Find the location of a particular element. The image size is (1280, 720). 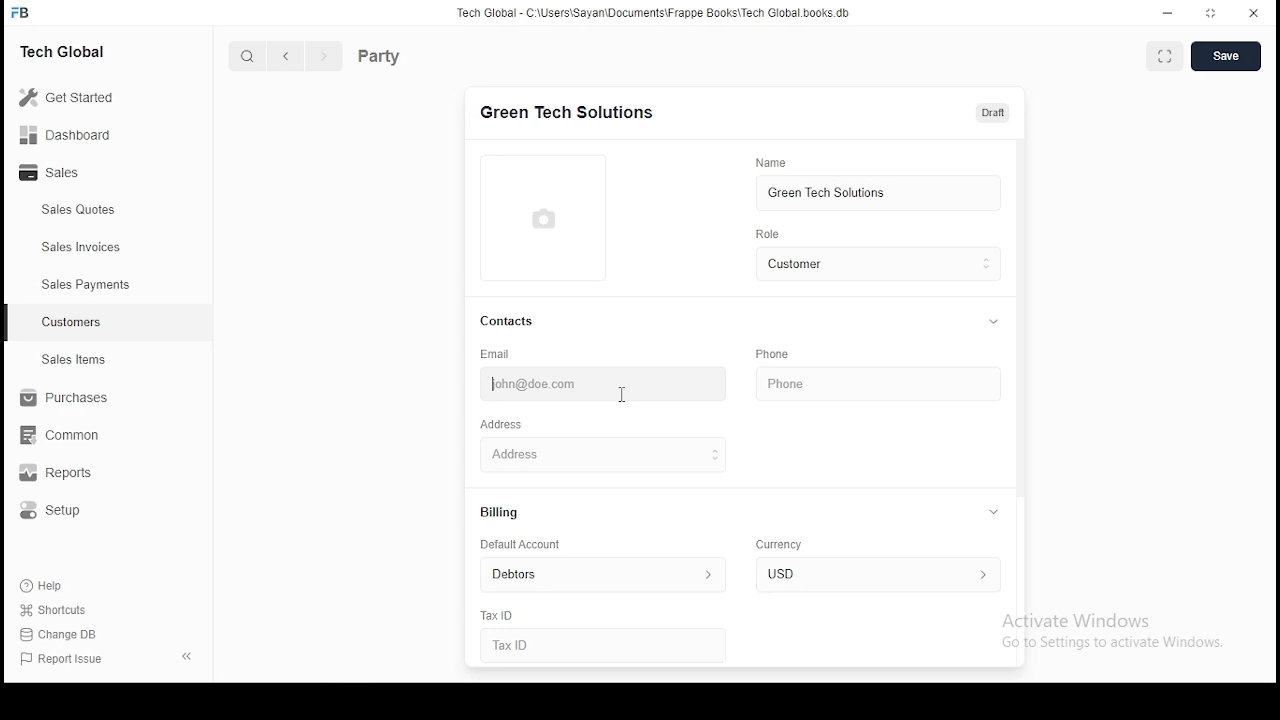

close pane is located at coordinates (189, 656).